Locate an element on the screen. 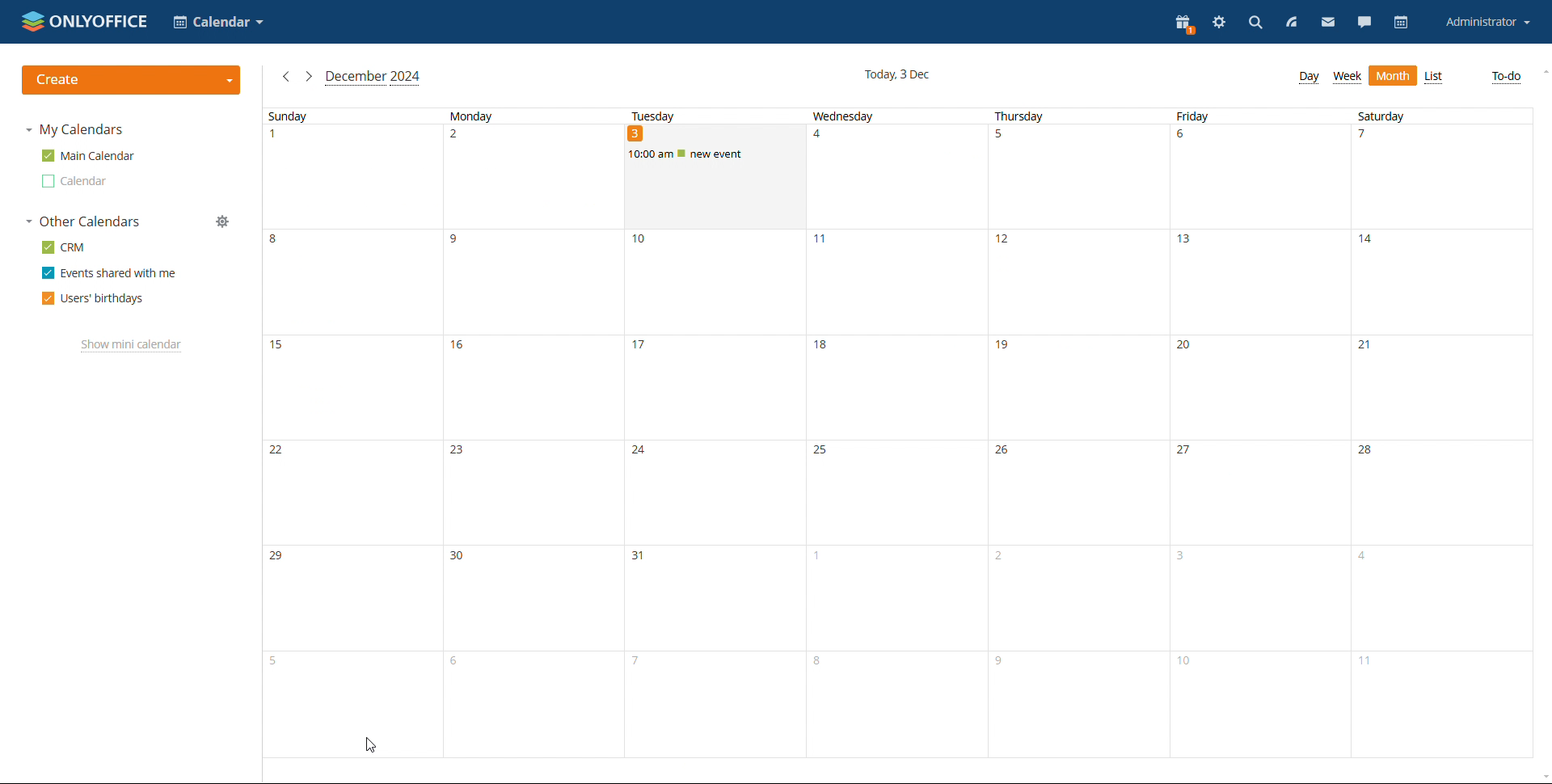  Tuesday is located at coordinates (711, 116).